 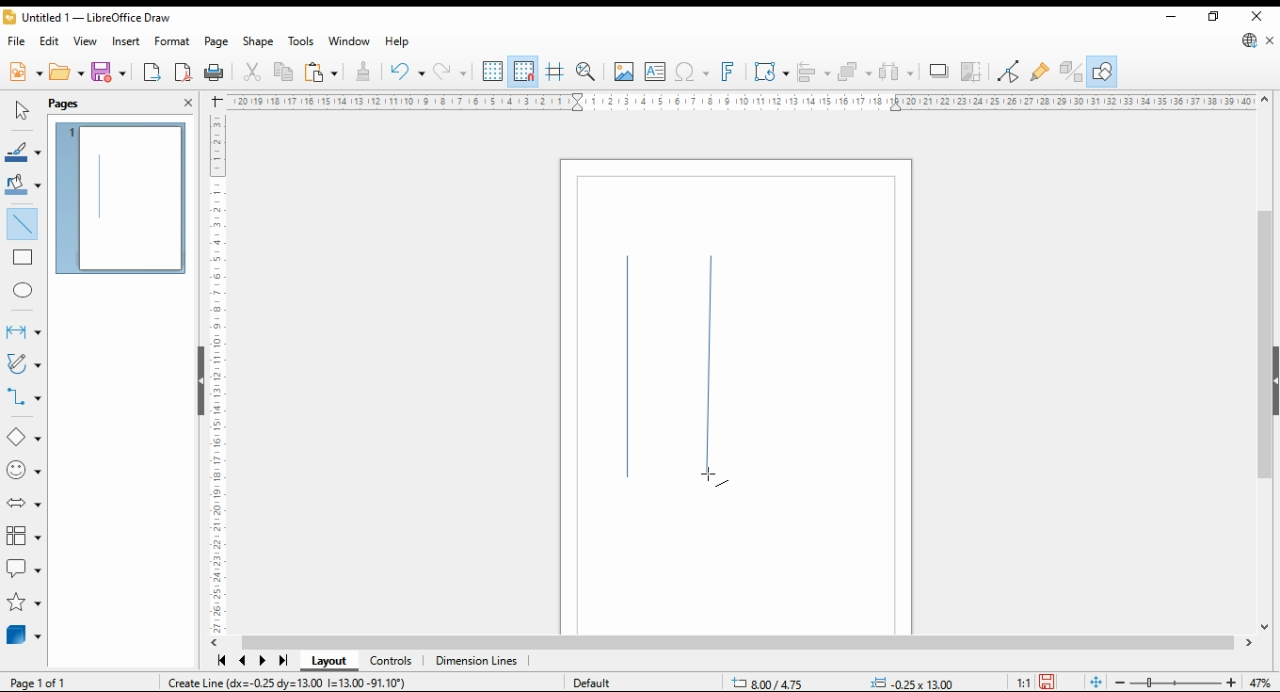 What do you see at coordinates (282, 73) in the screenshot?
I see `copy` at bounding box center [282, 73].